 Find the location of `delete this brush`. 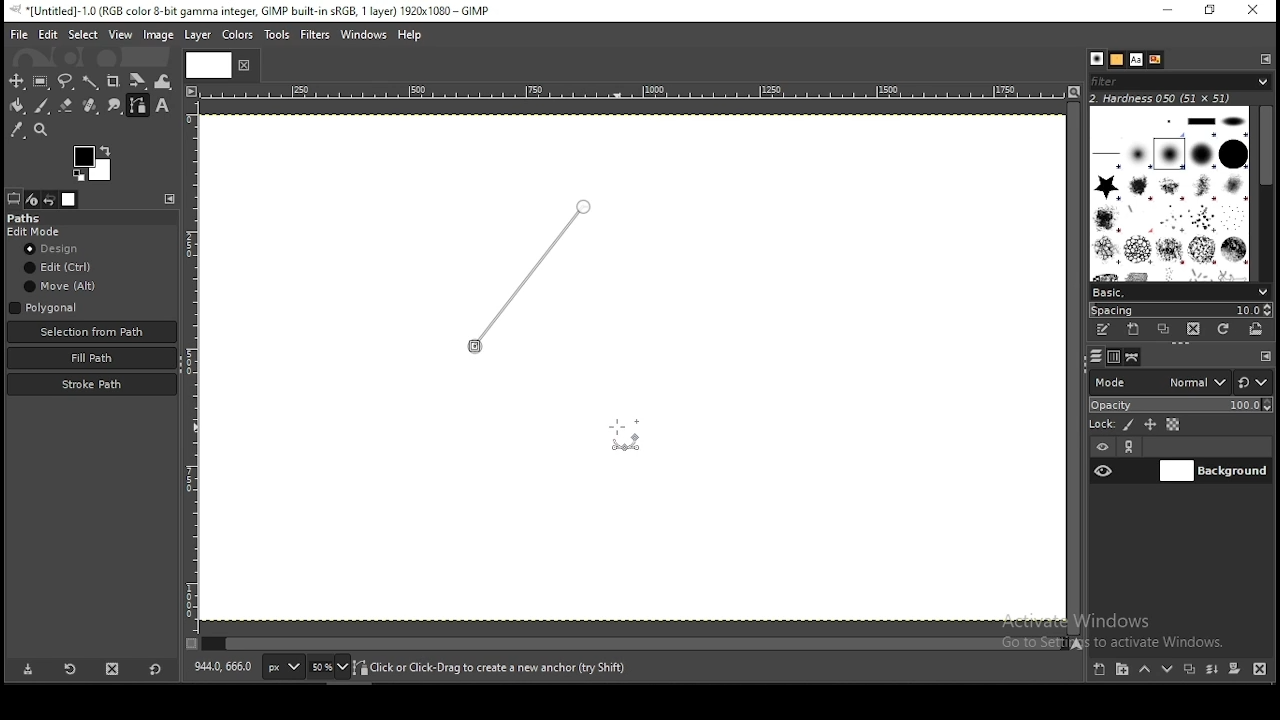

delete this brush is located at coordinates (1194, 329).